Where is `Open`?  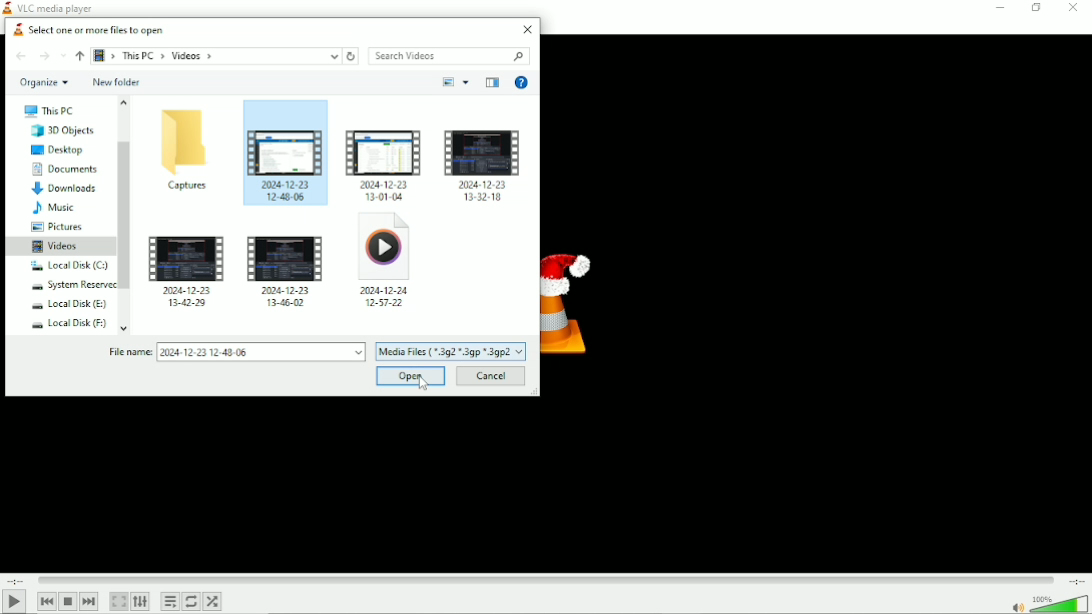
Open is located at coordinates (413, 376).